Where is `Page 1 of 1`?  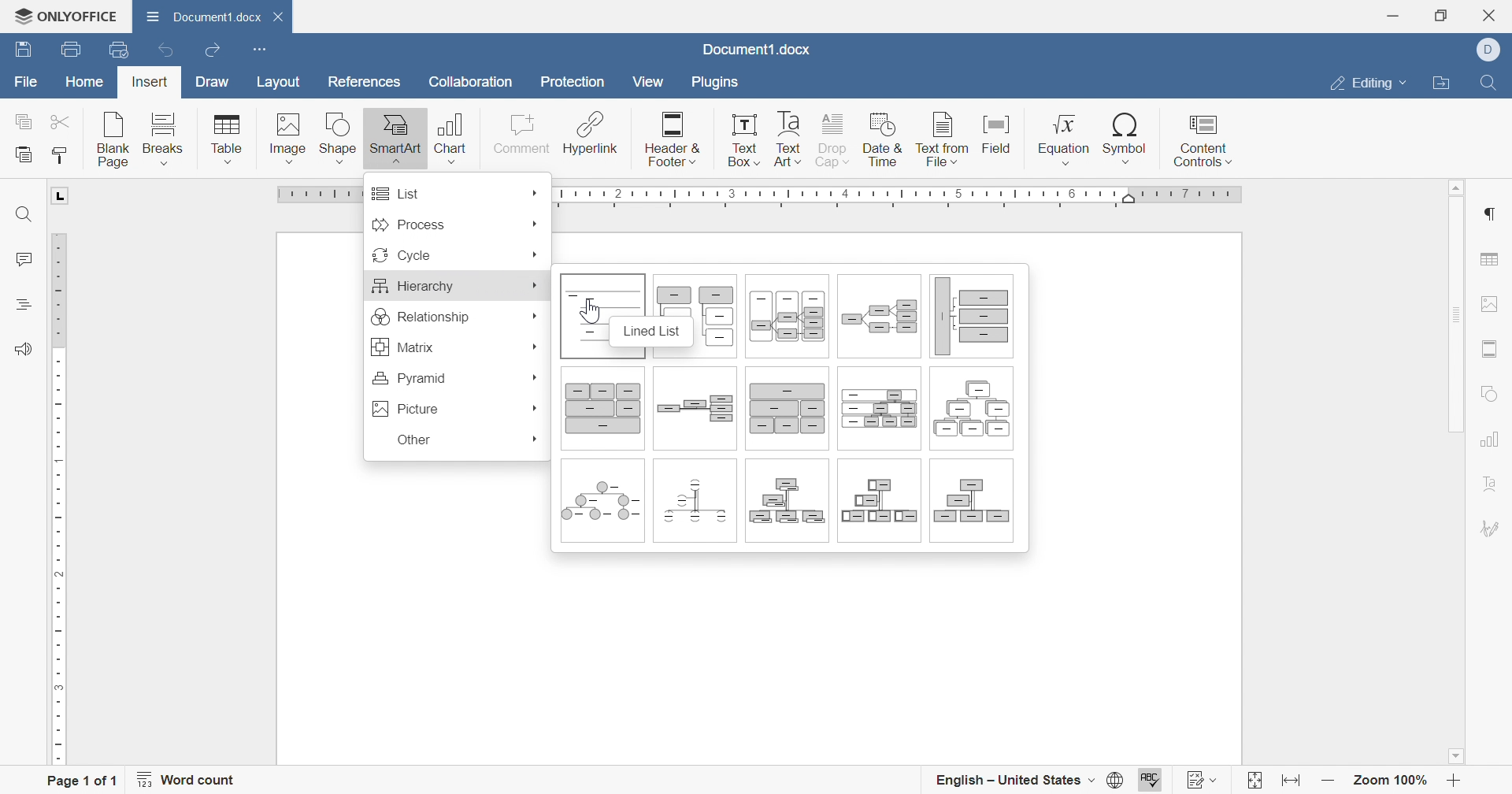 Page 1 of 1 is located at coordinates (80, 779).